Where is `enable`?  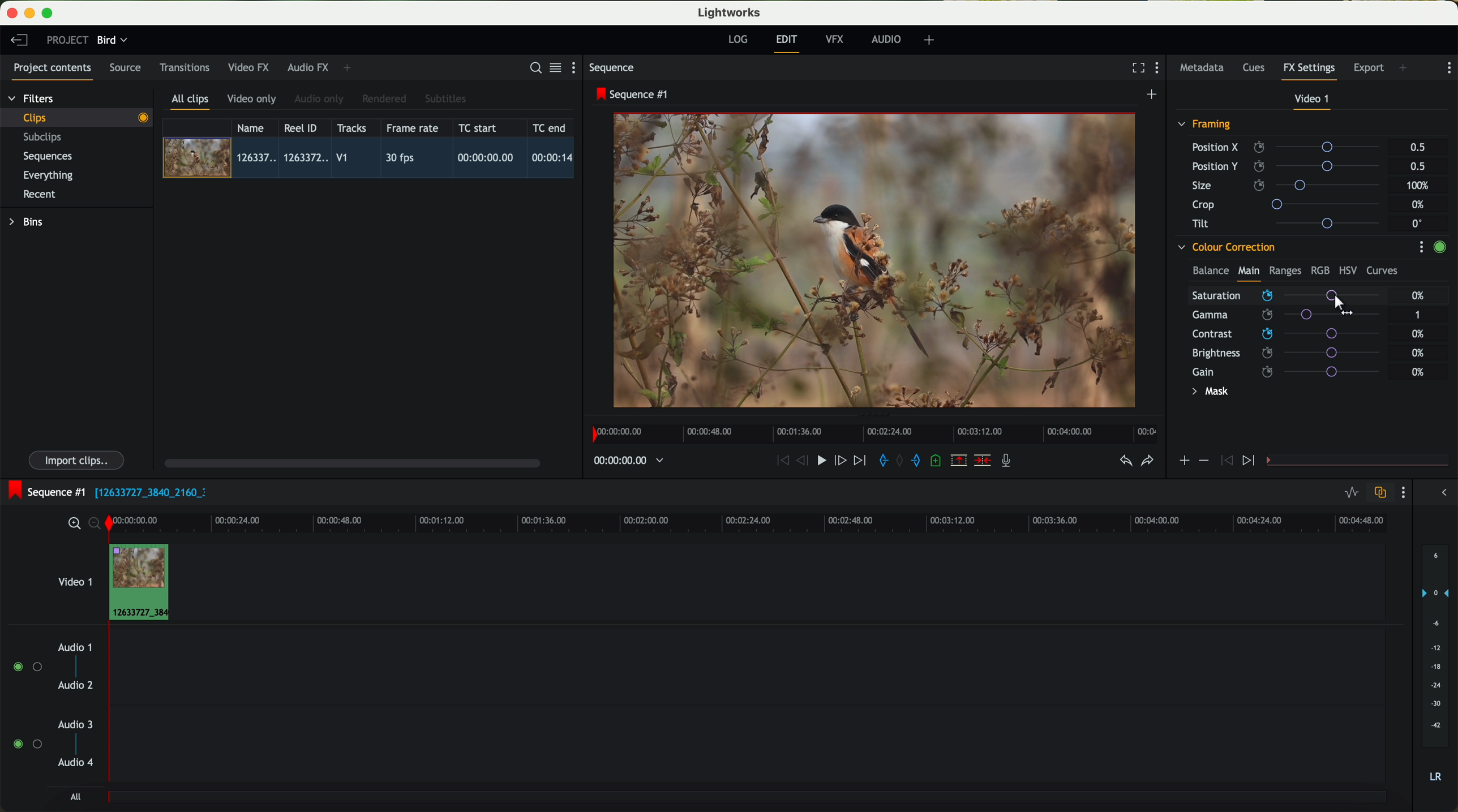
enable is located at coordinates (1439, 248).